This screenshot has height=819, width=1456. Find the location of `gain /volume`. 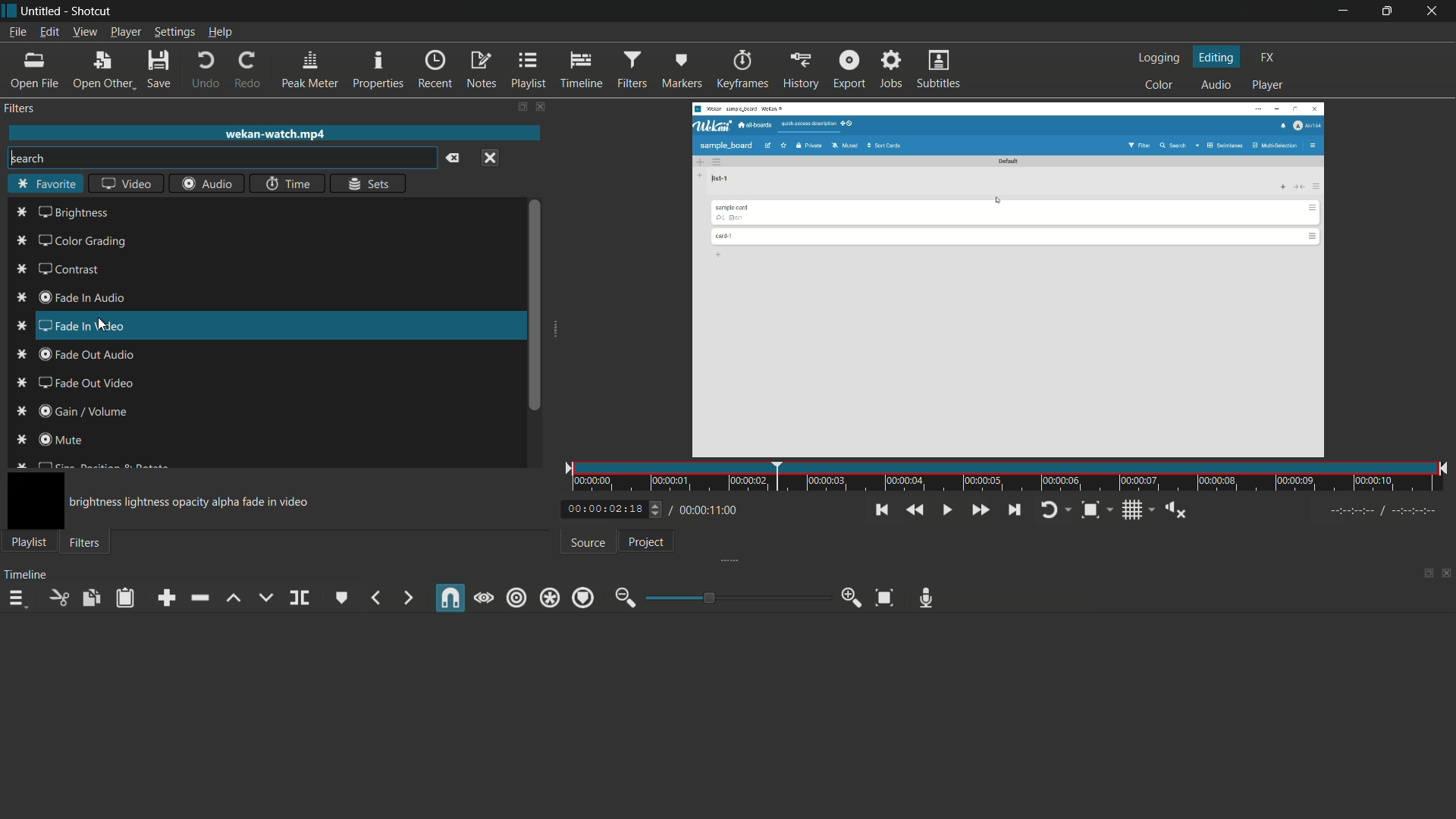

gain /volume is located at coordinates (74, 412).